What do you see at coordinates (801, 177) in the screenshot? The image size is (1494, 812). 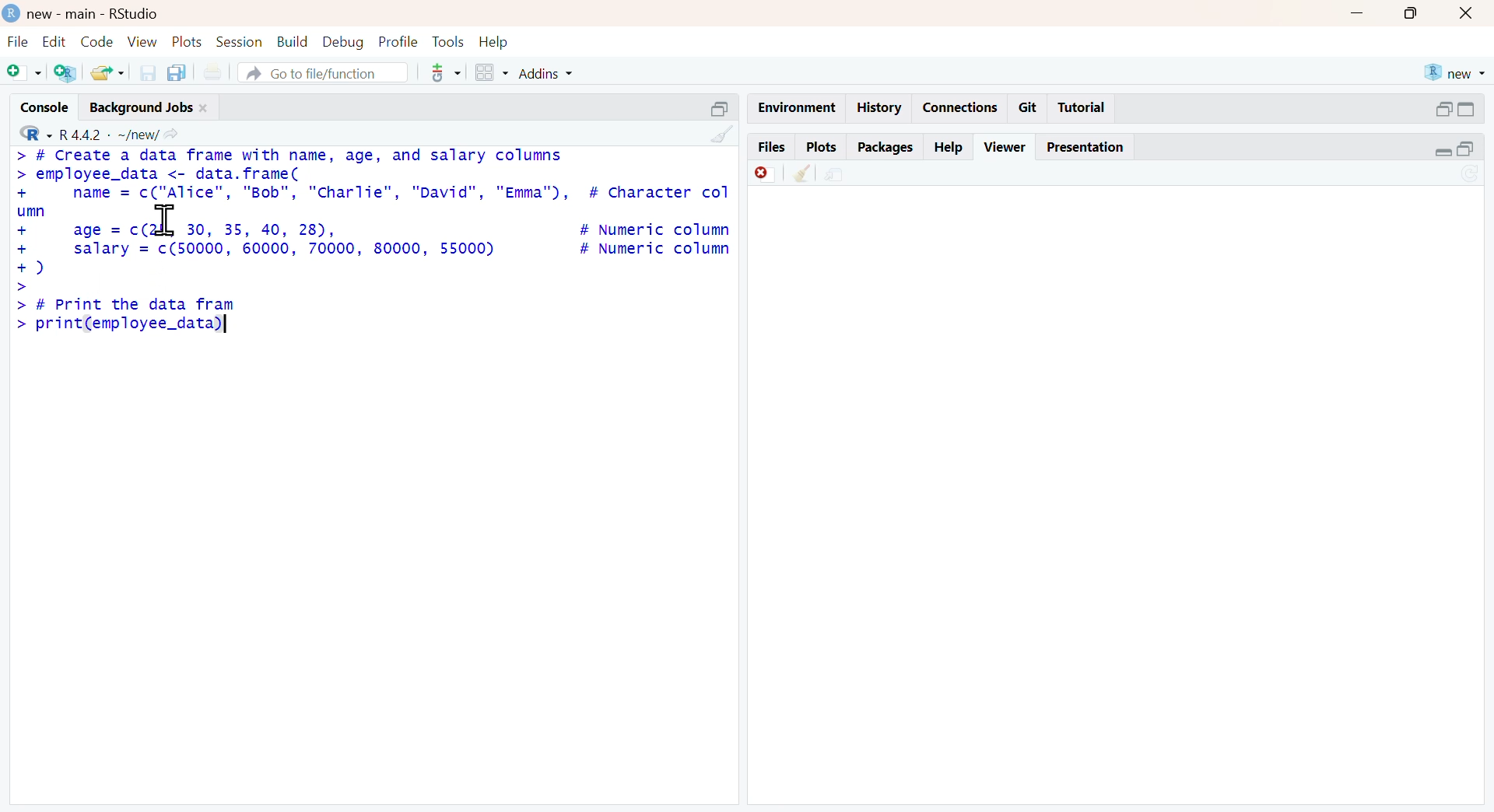 I see `Remove all viewer item` at bounding box center [801, 177].